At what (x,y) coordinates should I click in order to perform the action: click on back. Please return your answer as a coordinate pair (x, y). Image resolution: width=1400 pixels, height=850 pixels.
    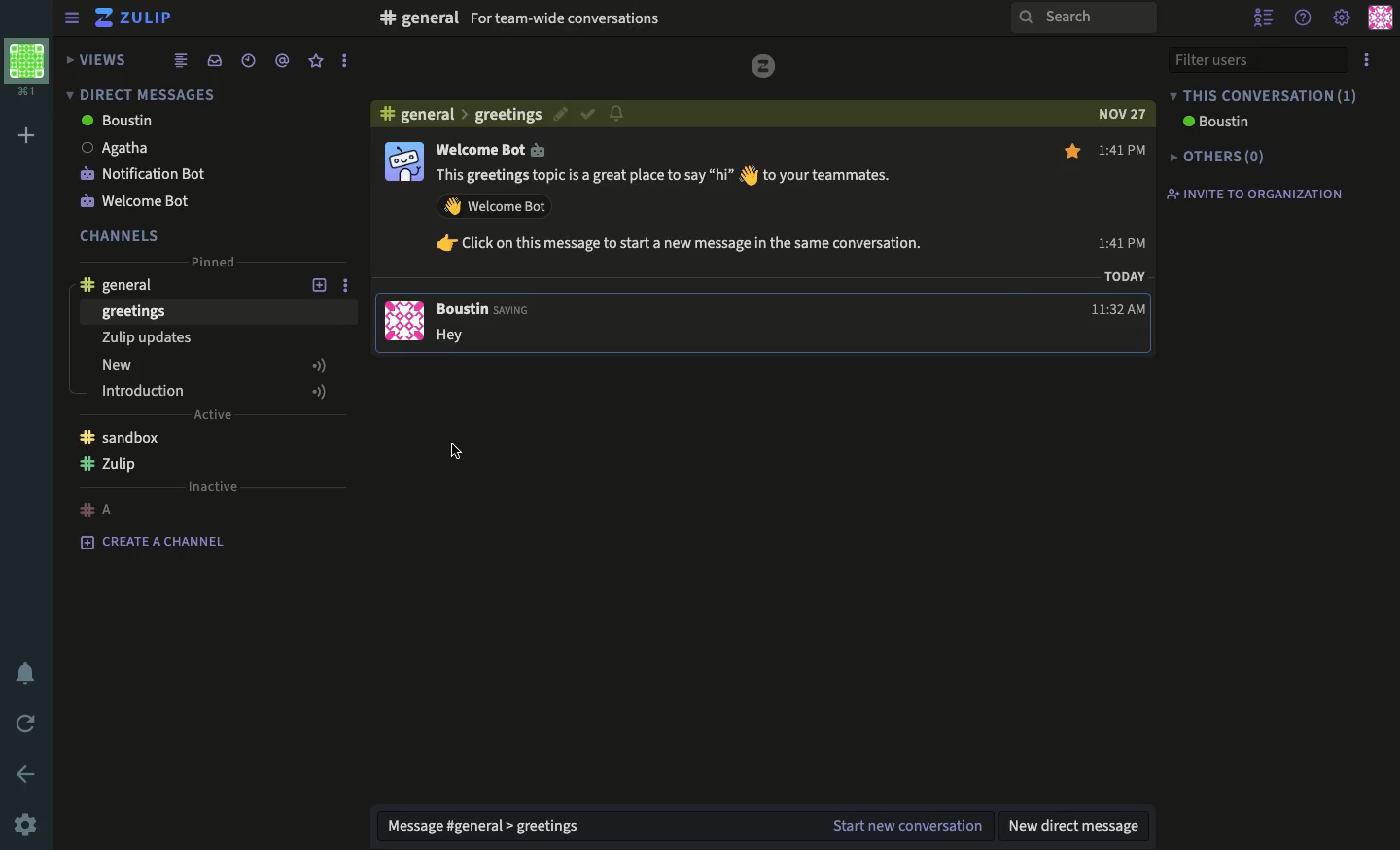
    Looking at the image, I should click on (29, 773).